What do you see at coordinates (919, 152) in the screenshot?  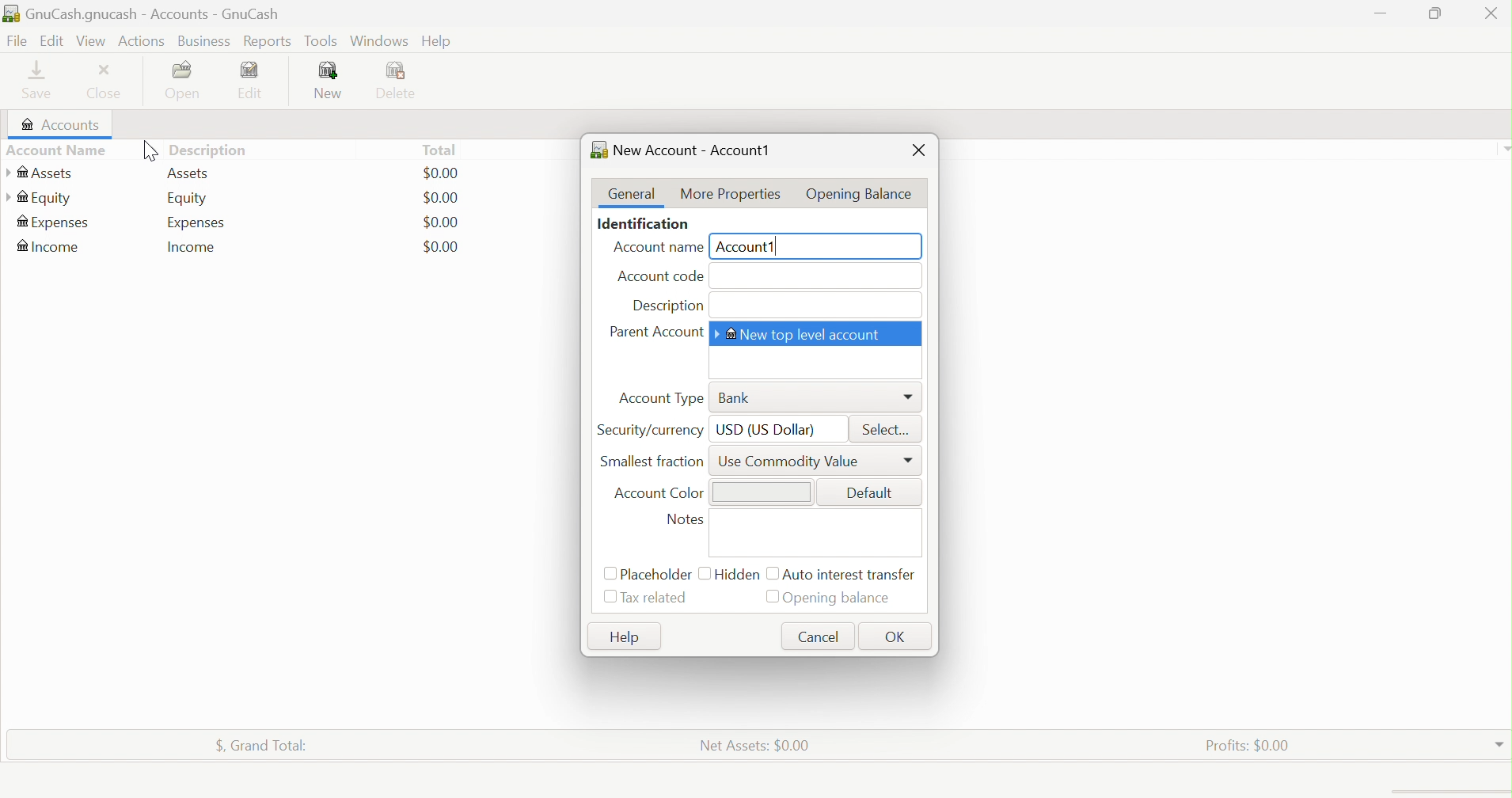 I see `Close` at bounding box center [919, 152].